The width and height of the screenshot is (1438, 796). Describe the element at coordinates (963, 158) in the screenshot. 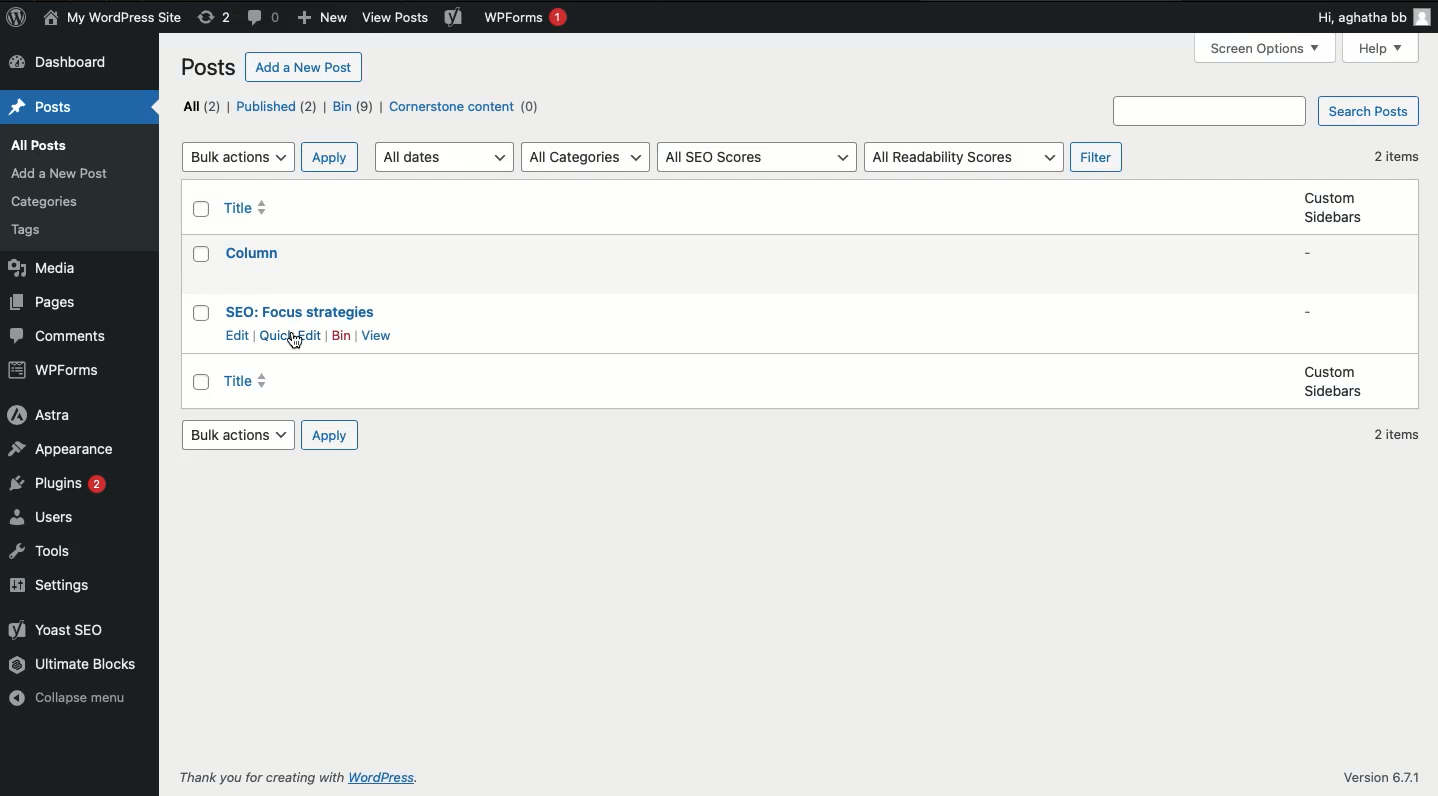

I see `All readability scores` at that location.